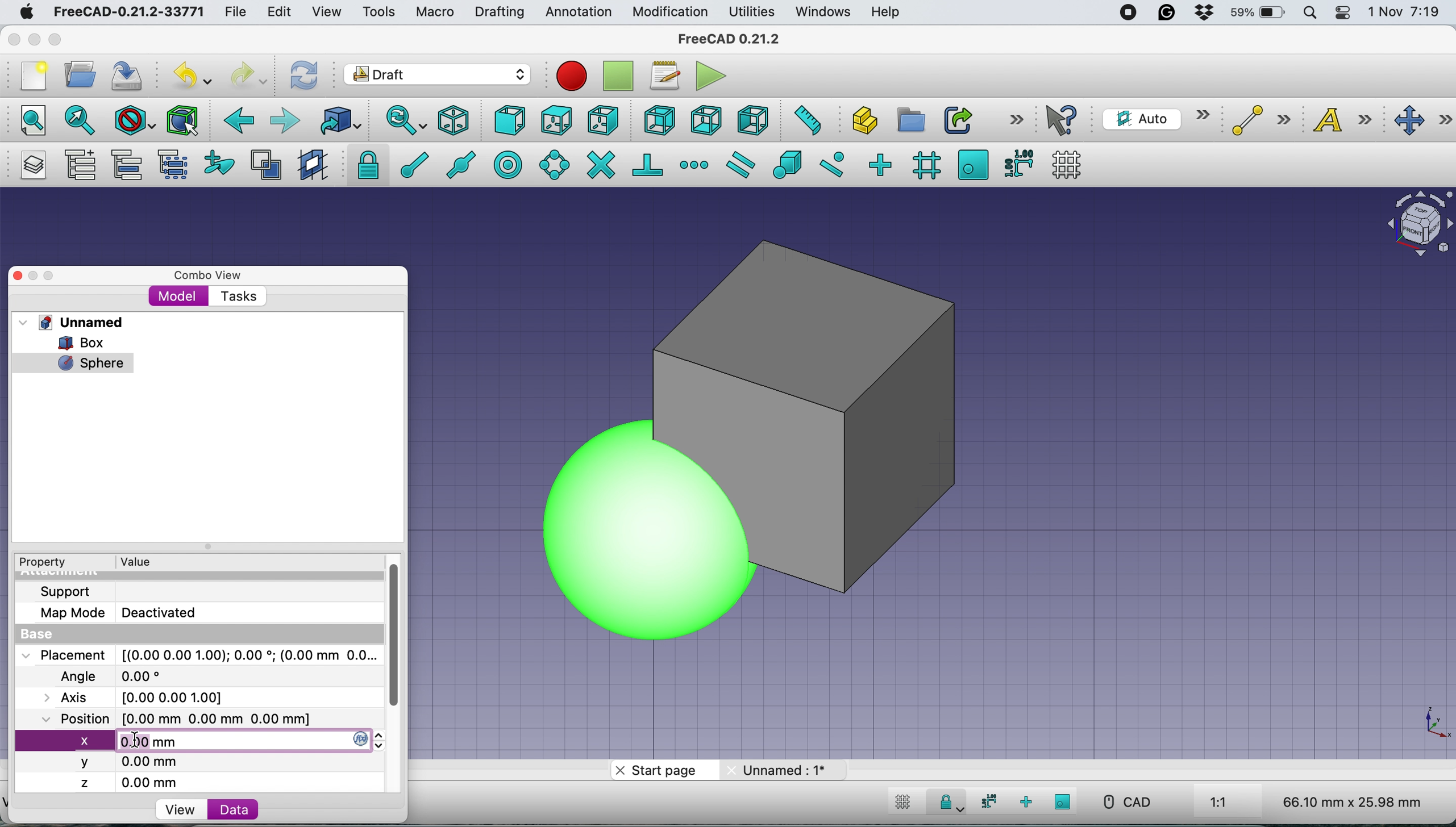 This screenshot has width=1456, height=827. I want to click on refresh, so click(302, 74).